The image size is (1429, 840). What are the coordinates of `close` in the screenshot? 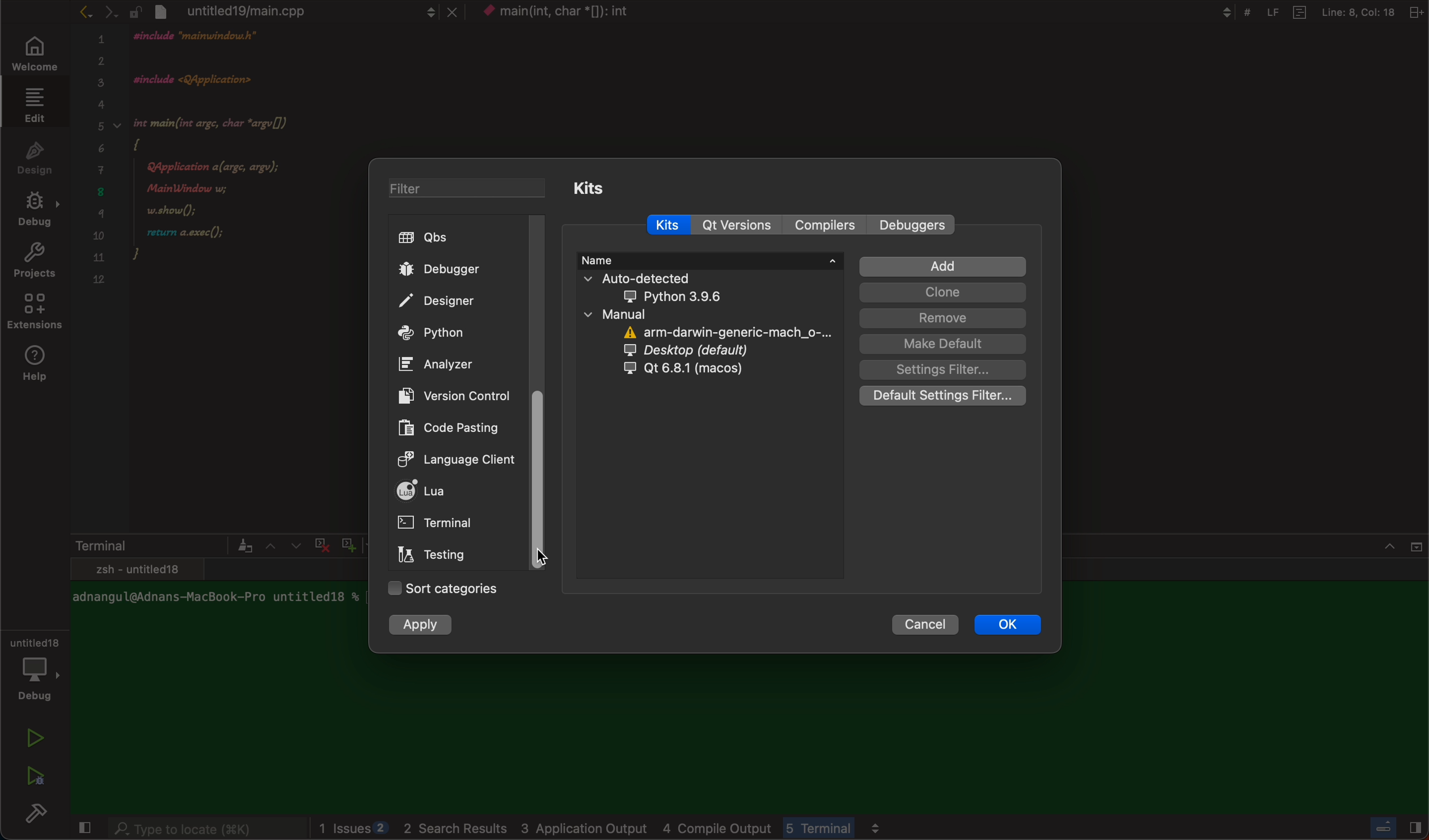 It's located at (82, 829).